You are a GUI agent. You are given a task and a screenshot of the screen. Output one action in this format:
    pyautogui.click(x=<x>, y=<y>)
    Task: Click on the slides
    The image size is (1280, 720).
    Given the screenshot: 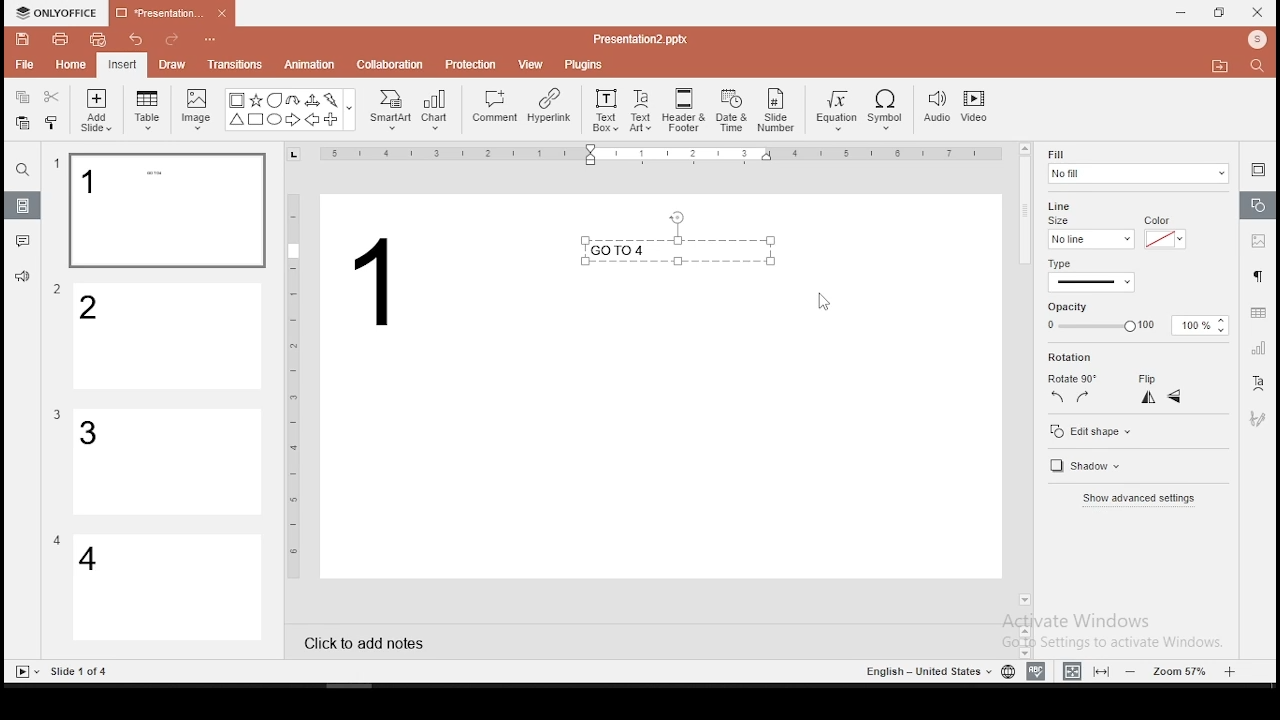 What is the action you would take?
    pyautogui.click(x=24, y=206)
    